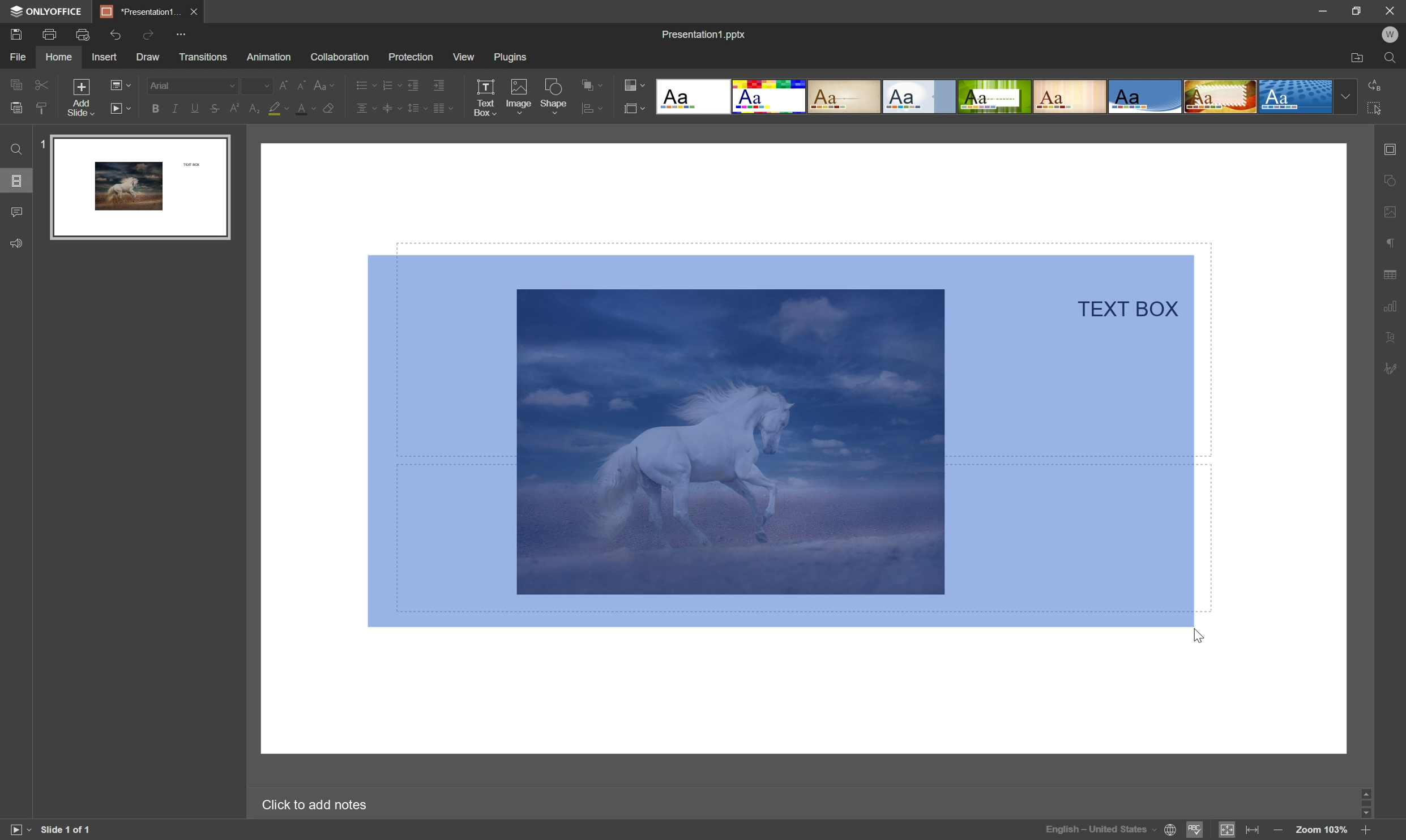 This screenshot has width=1406, height=840. Describe the element at coordinates (1358, 8) in the screenshot. I see `restore down` at that location.